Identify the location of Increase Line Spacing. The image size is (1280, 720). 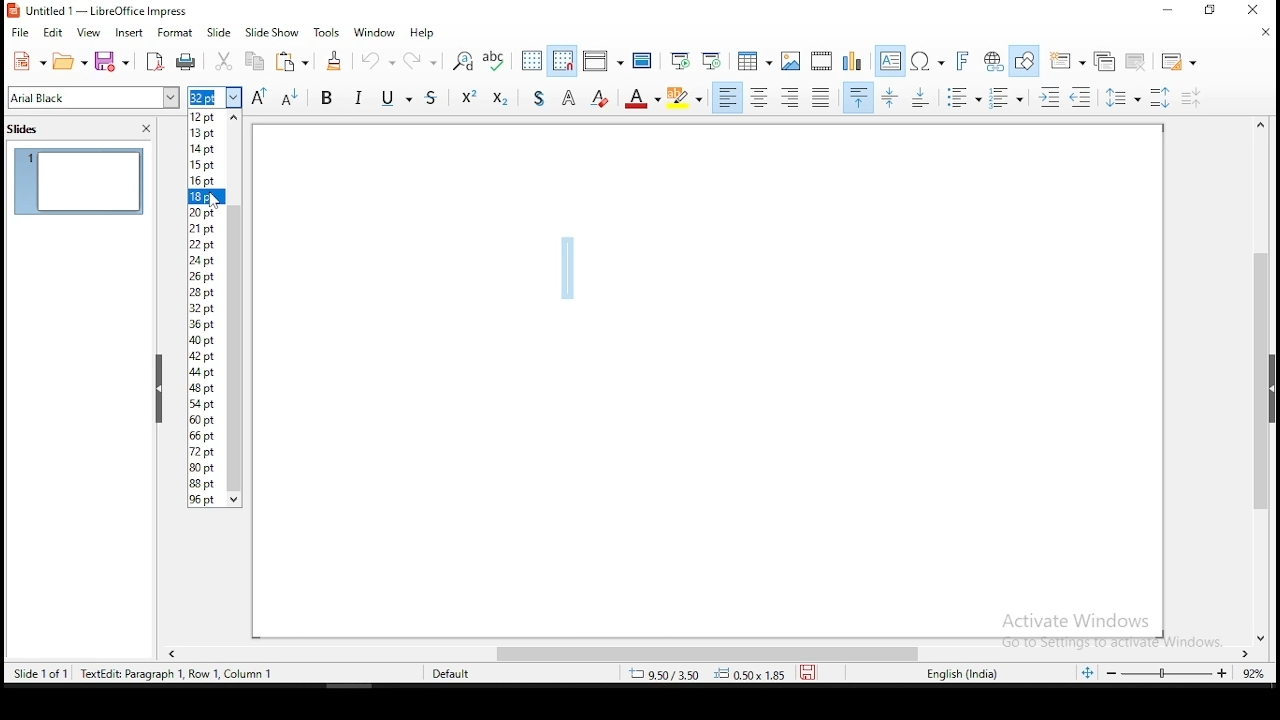
(1163, 97).